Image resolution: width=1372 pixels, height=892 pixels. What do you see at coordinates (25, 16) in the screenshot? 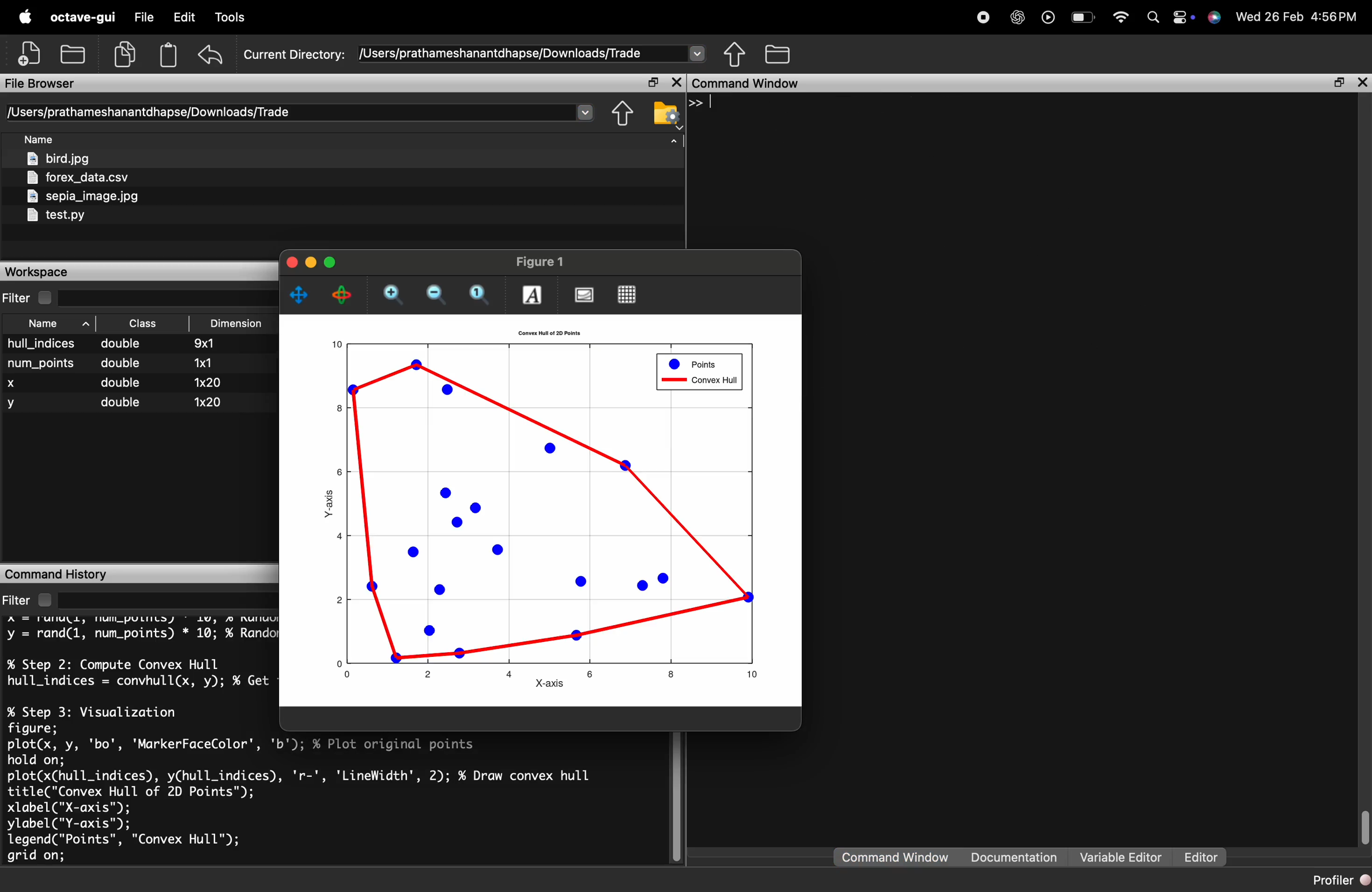
I see `apple` at bounding box center [25, 16].